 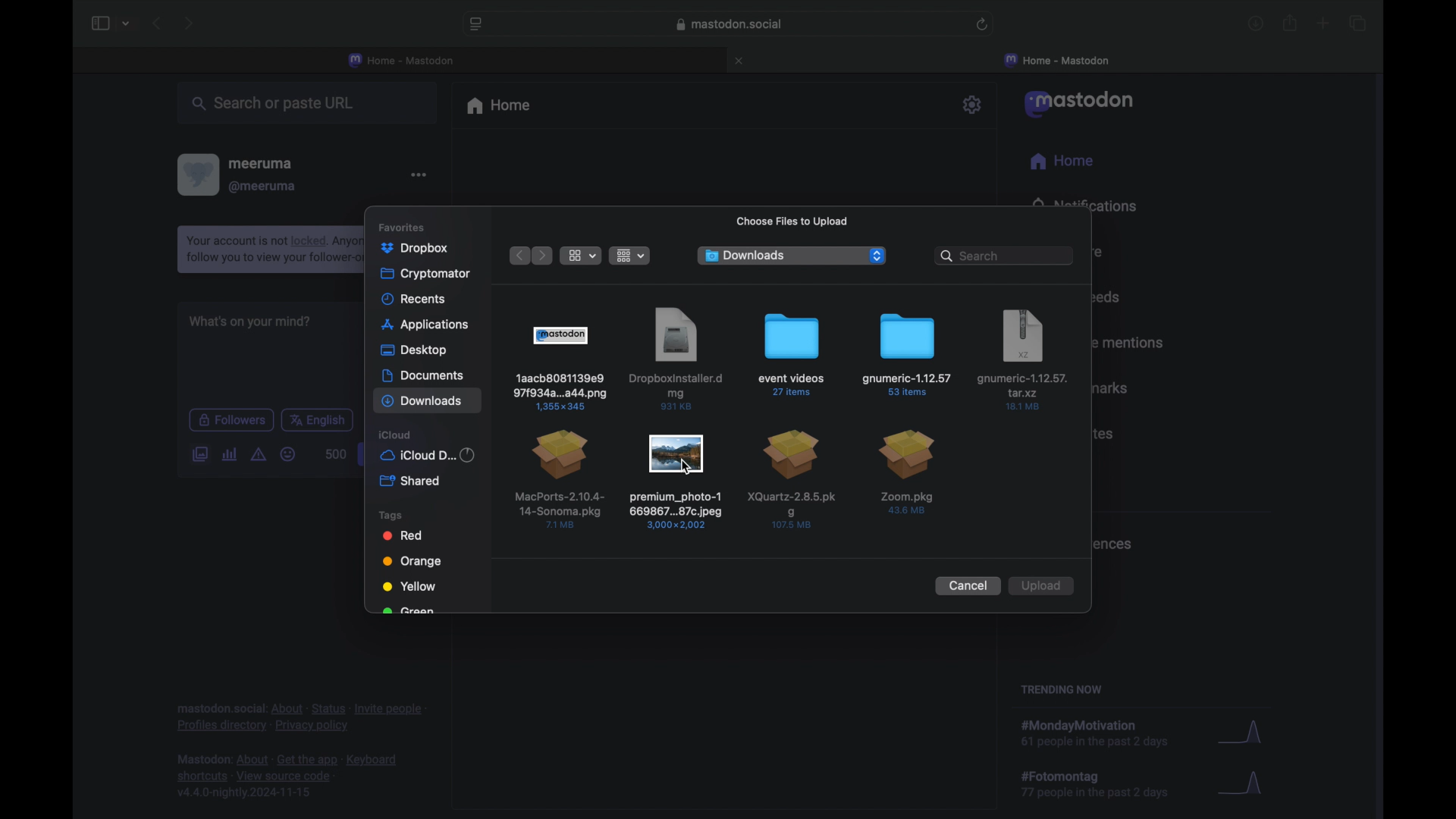 What do you see at coordinates (968, 586) in the screenshot?
I see `cancel` at bounding box center [968, 586].